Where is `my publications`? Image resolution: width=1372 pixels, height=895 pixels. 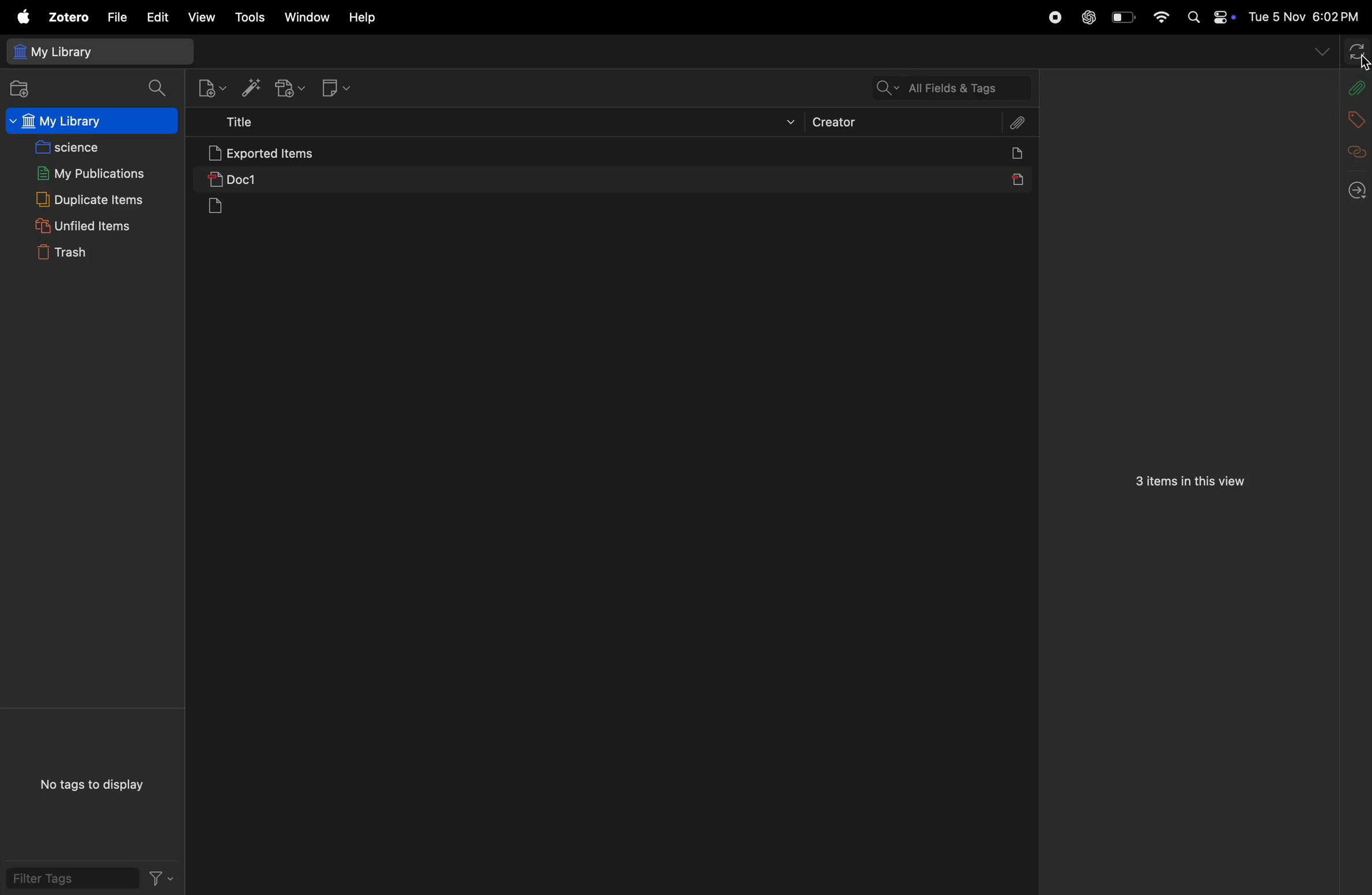
my publications is located at coordinates (84, 172).